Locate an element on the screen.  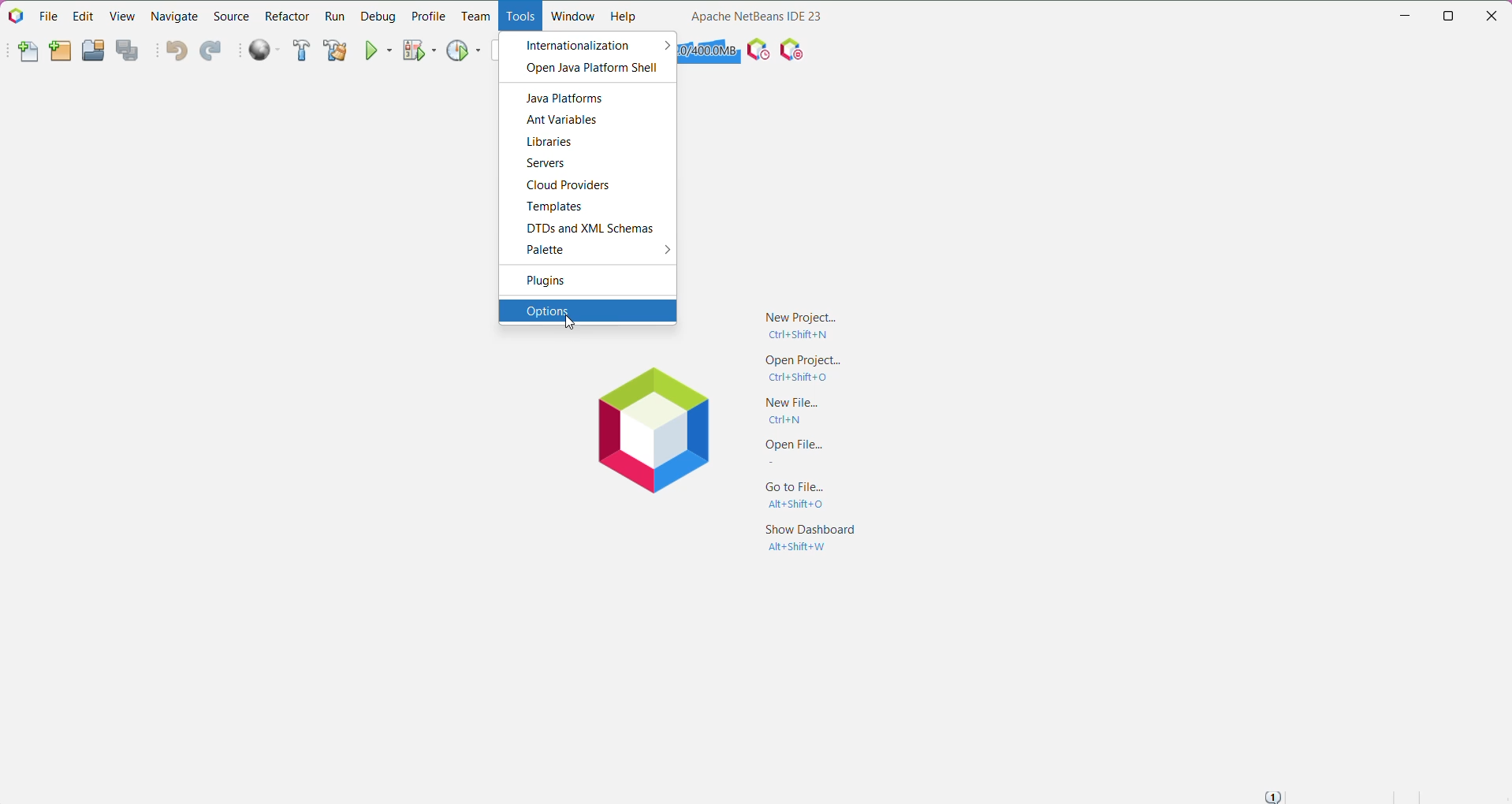
More options is located at coordinates (661, 252).